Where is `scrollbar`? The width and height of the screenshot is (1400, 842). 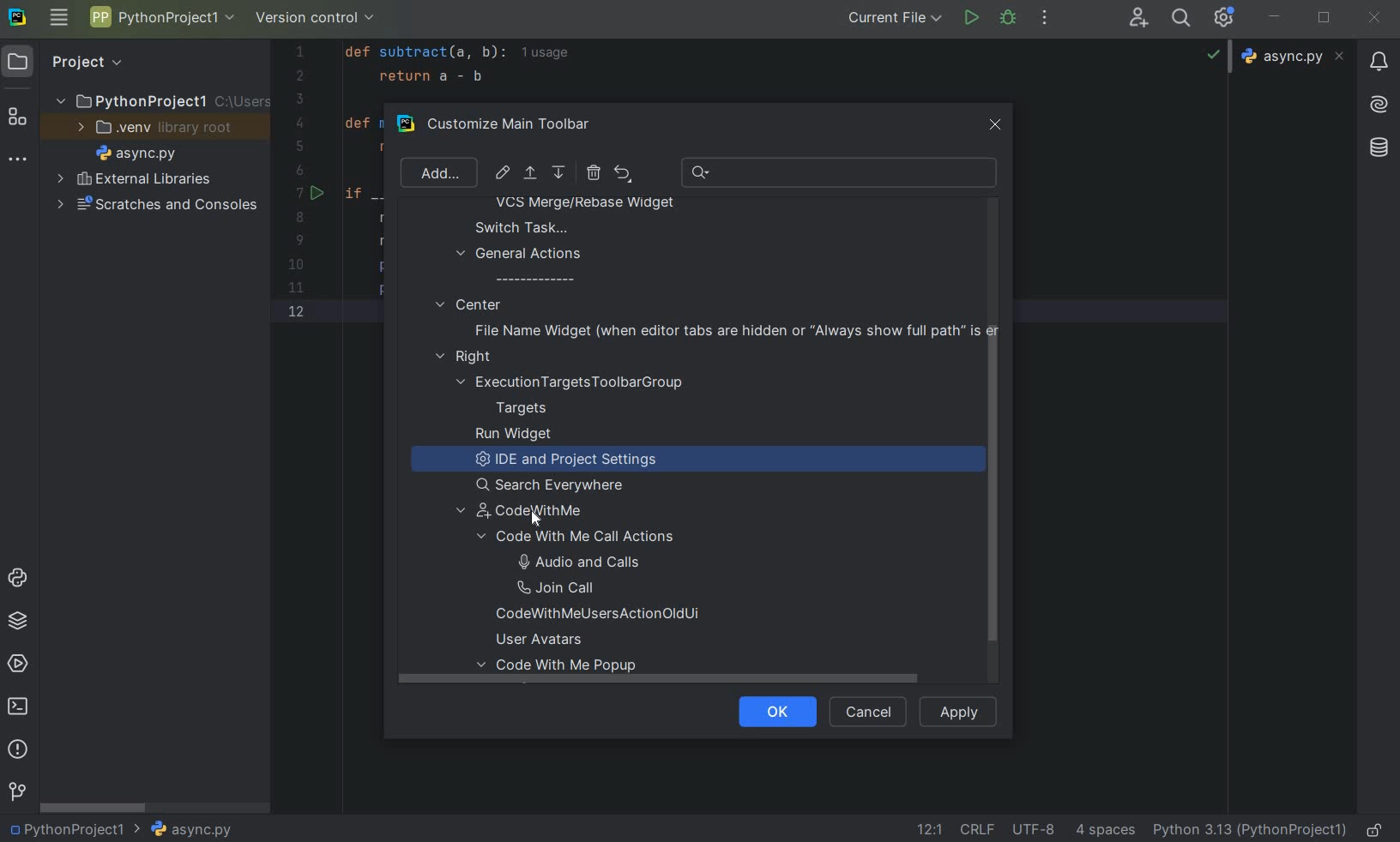
scrollbar is located at coordinates (990, 498).